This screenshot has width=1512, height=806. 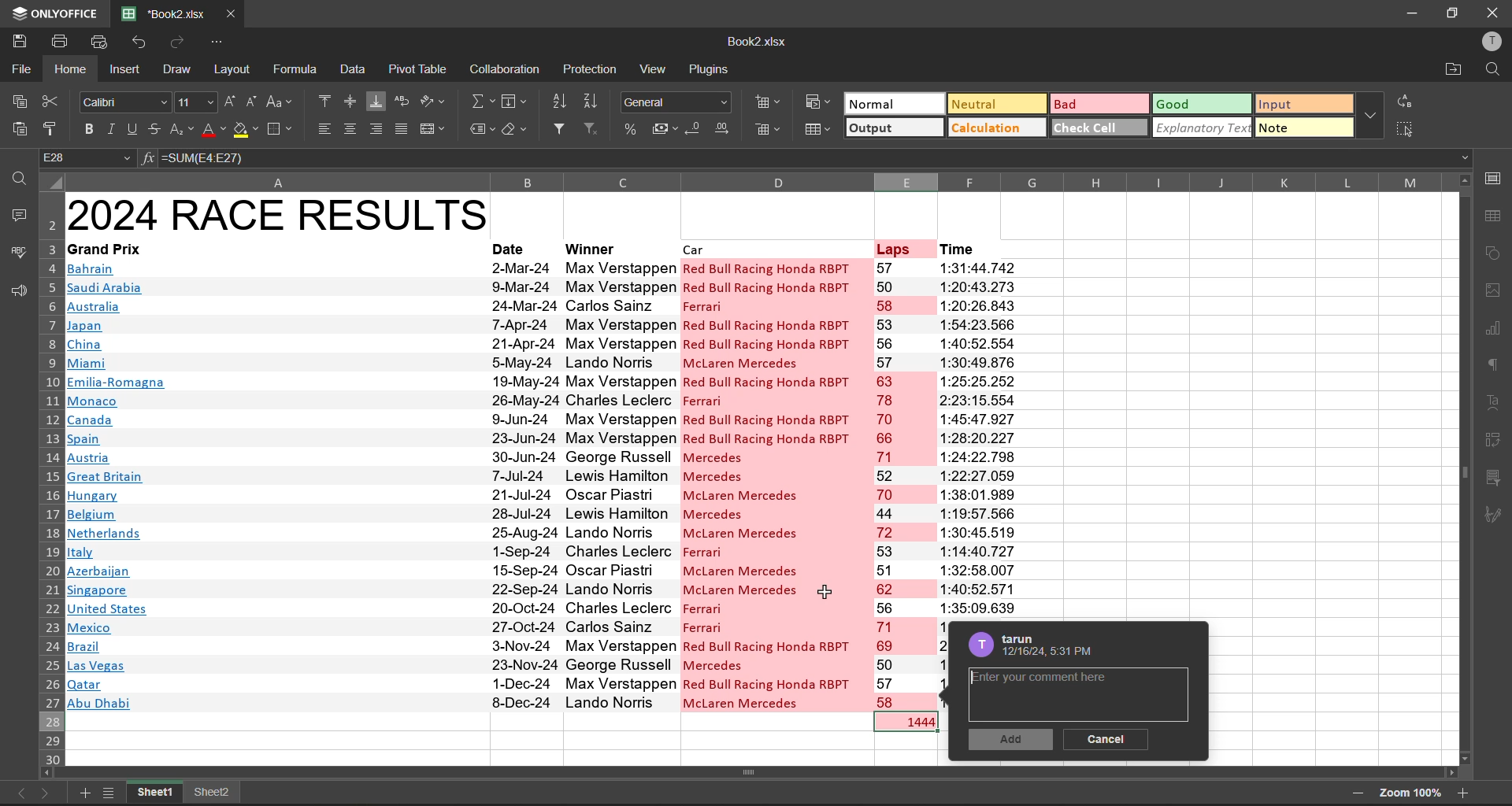 What do you see at coordinates (1492, 367) in the screenshot?
I see `paragraph ` at bounding box center [1492, 367].